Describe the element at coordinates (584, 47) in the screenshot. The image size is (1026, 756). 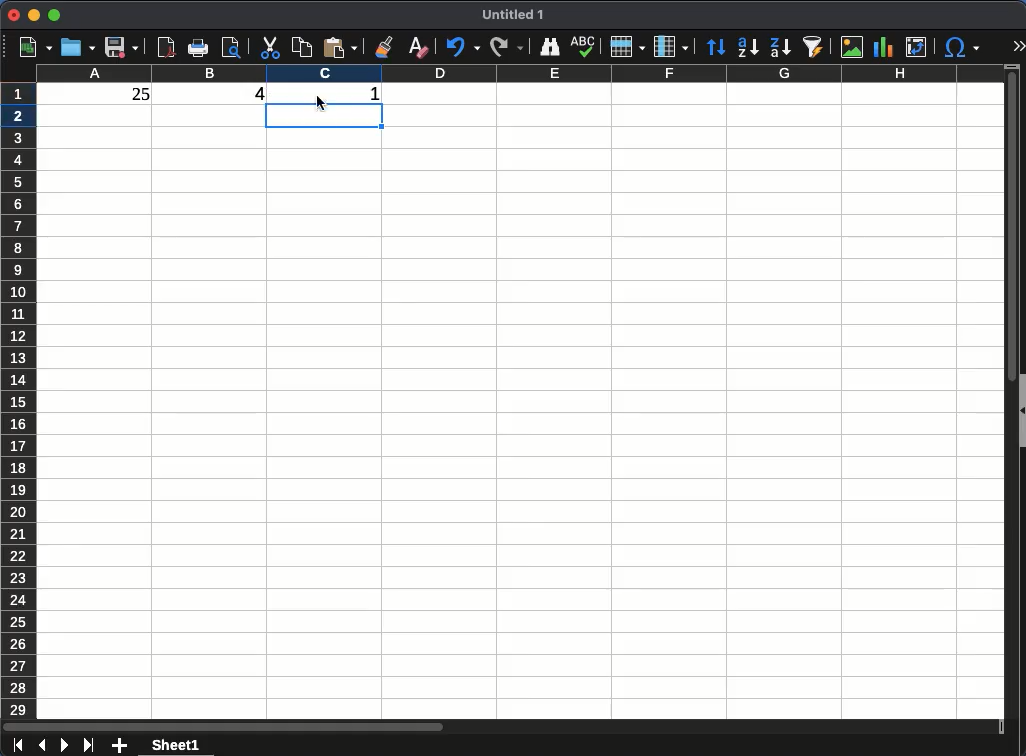
I see `spell check` at that location.